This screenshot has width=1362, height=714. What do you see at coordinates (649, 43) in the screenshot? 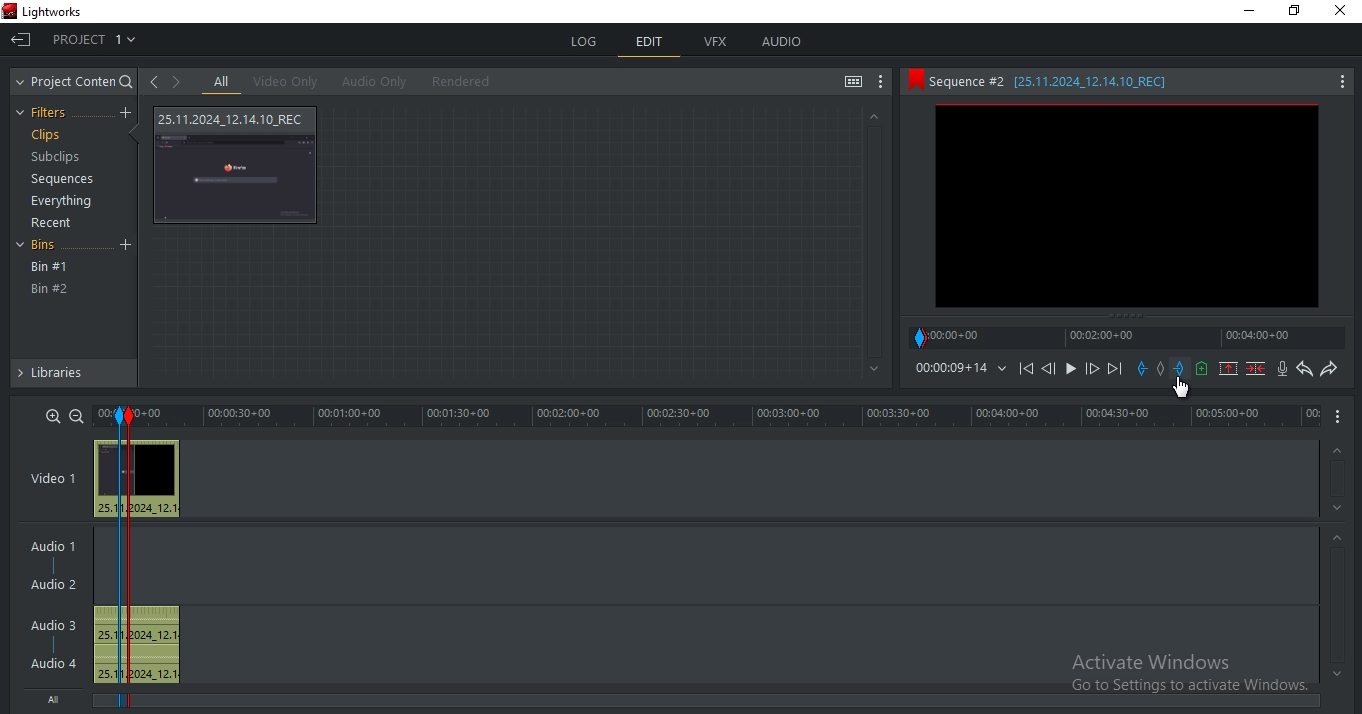
I see `edit` at bounding box center [649, 43].